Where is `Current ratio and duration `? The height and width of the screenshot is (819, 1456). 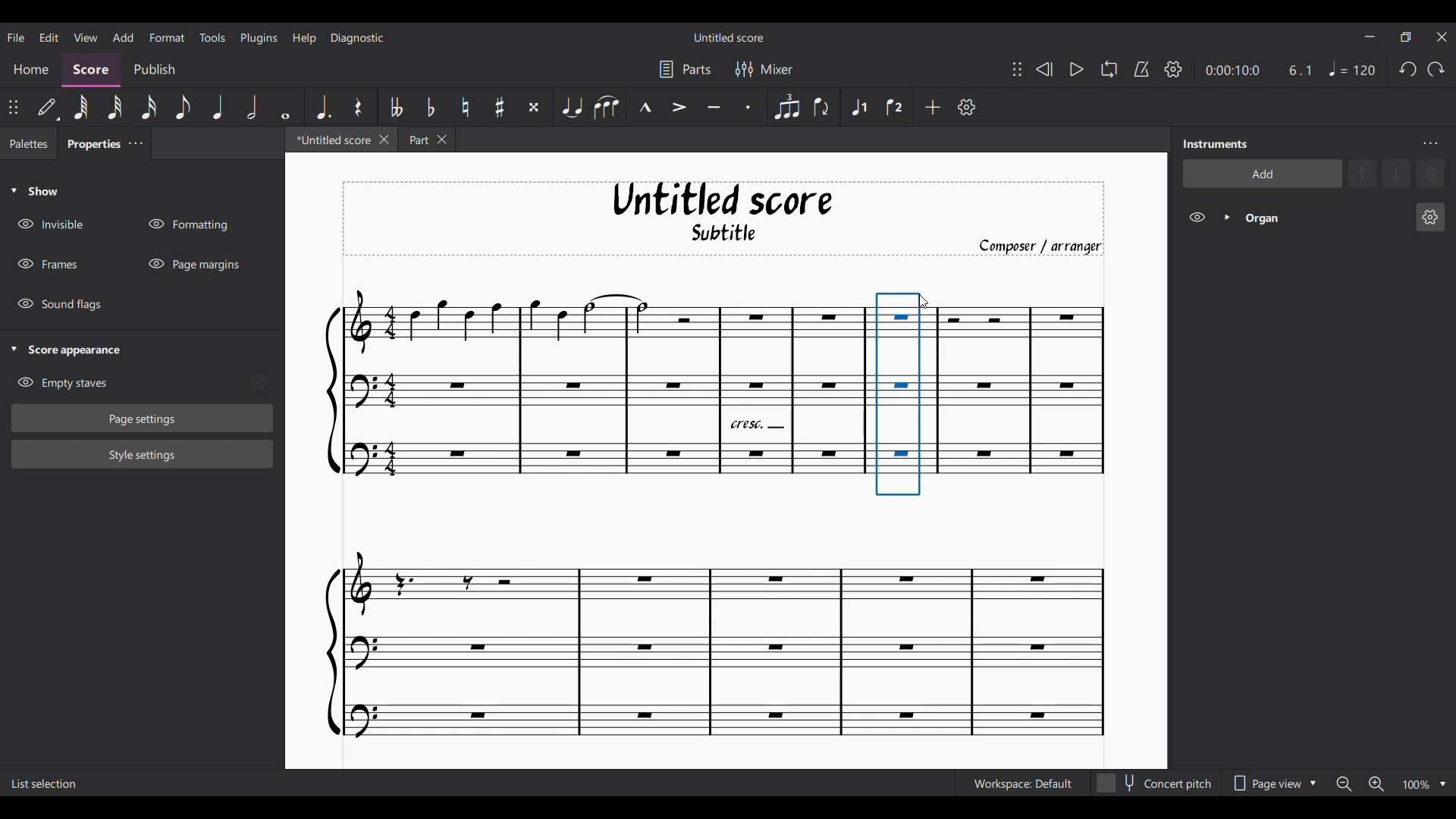
Current ratio and duration  is located at coordinates (1260, 71).